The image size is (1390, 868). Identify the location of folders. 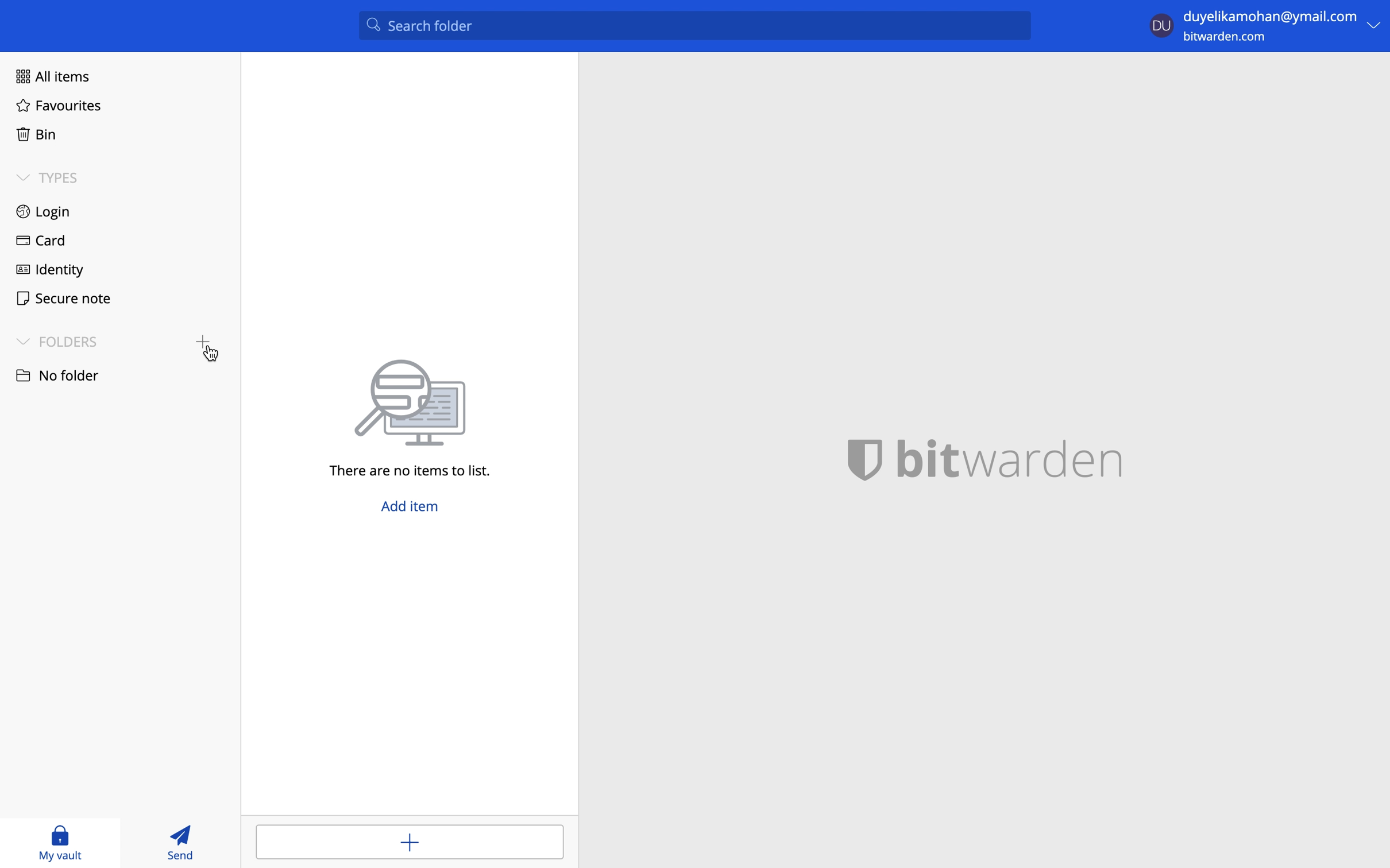
(57, 341).